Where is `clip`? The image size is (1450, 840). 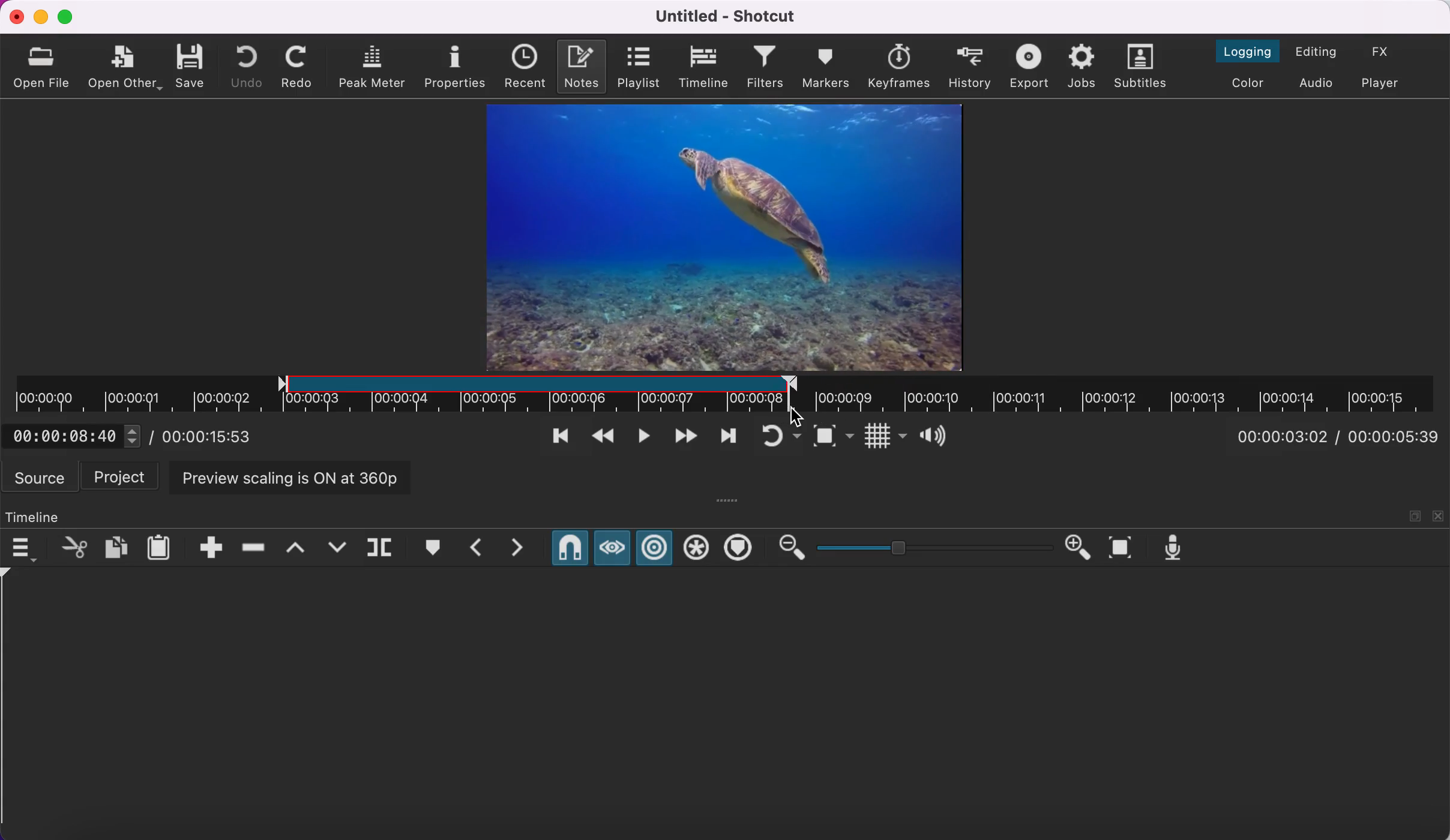 clip is located at coordinates (723, 237).